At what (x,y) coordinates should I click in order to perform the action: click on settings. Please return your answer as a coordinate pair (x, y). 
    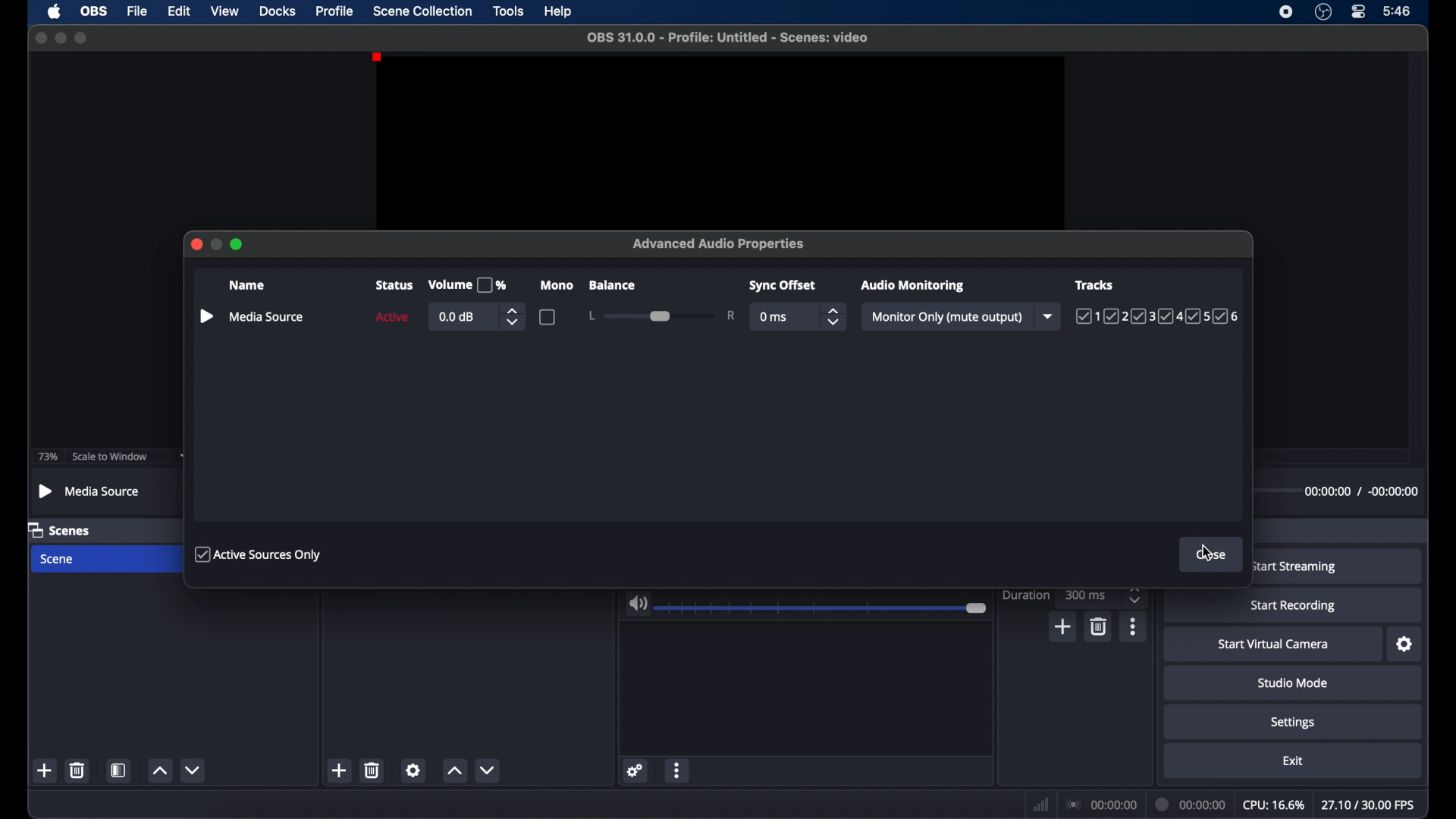
    Looking at the image, I should click on (1293, 722).